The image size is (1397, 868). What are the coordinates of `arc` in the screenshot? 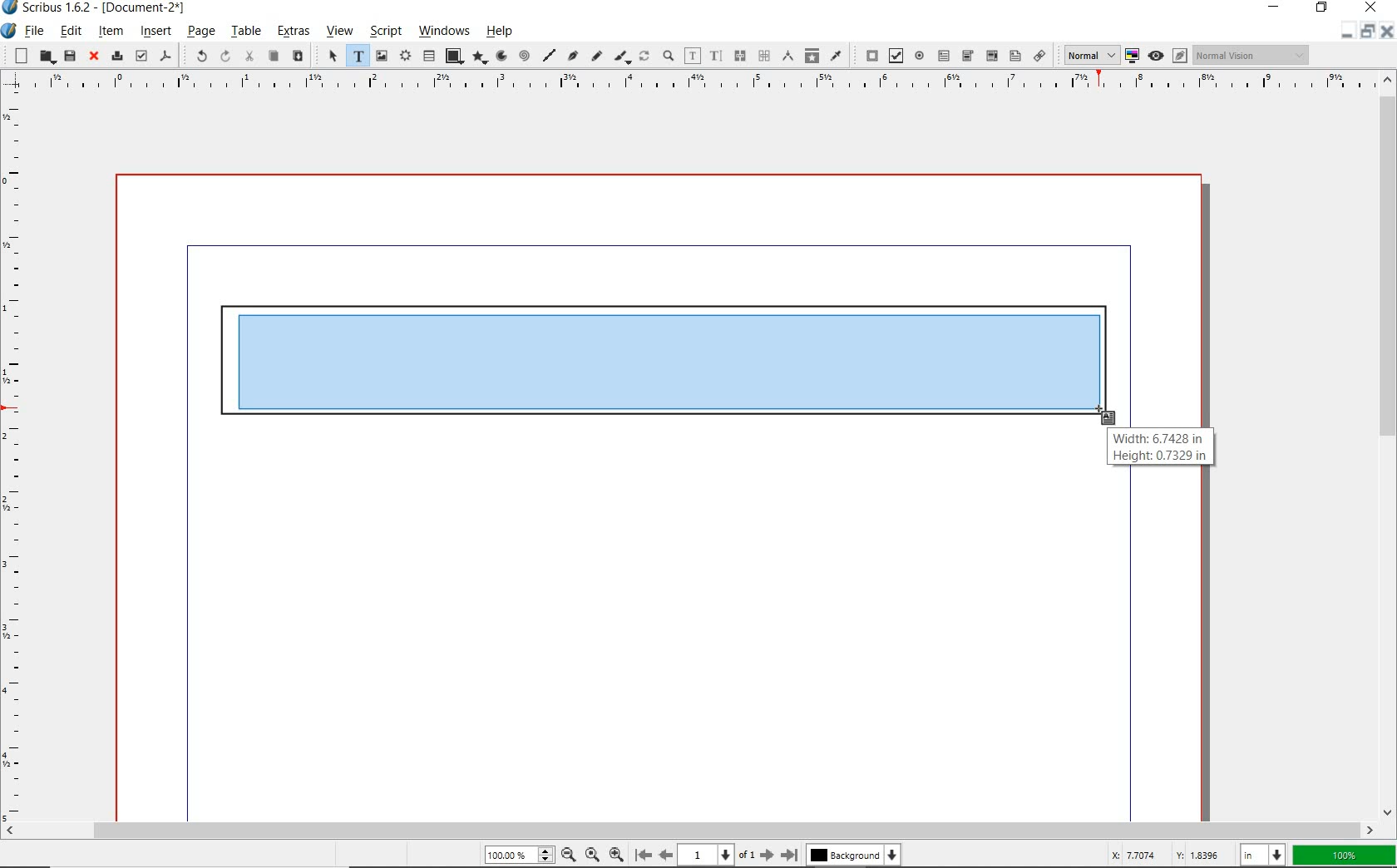 It's located at (501, 56).